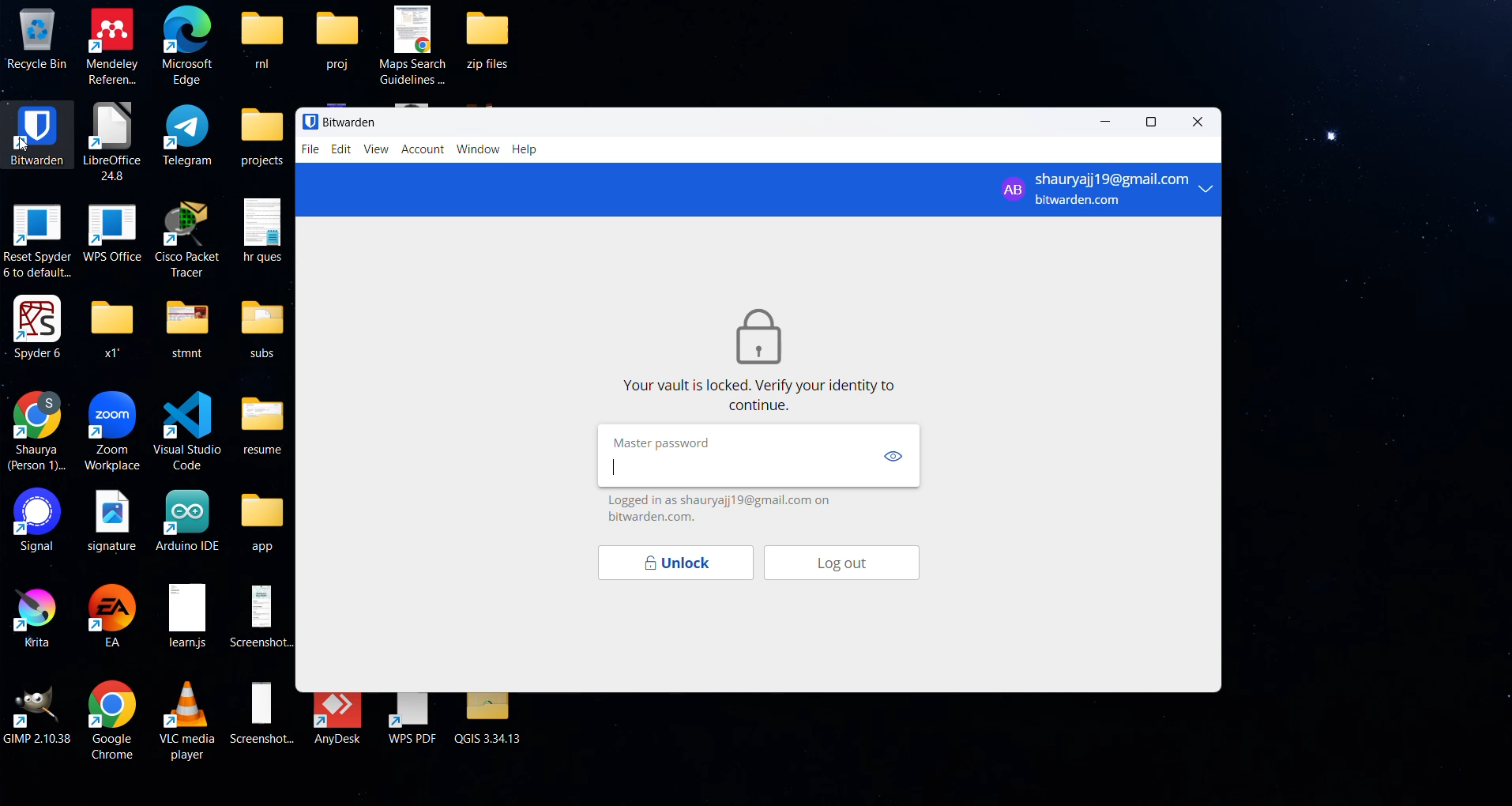 Image resolution: width=1512 pixels, height=806 pixels. Describe the element at coordinates (262, 329) in the screenshot. I see `subs` at that location.